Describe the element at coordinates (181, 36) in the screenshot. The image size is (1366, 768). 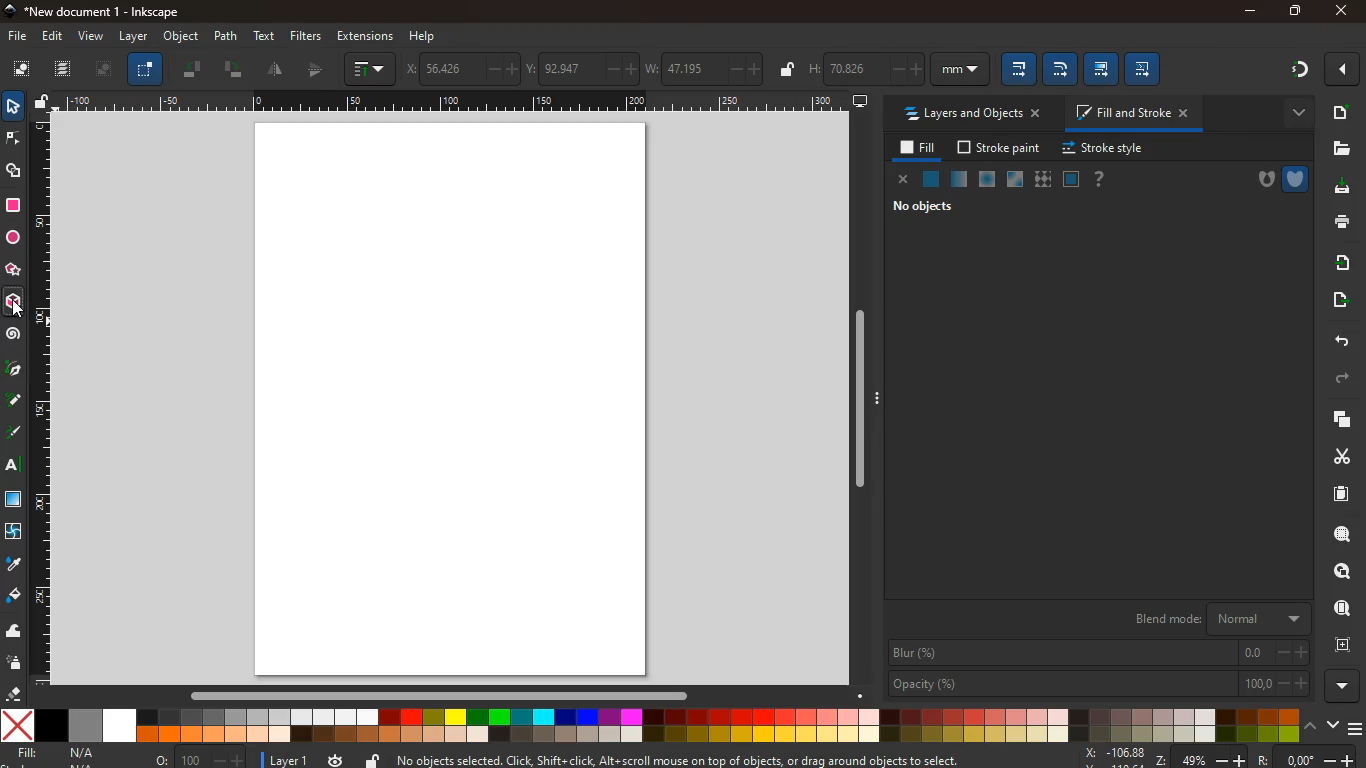
I see `object` at that location.